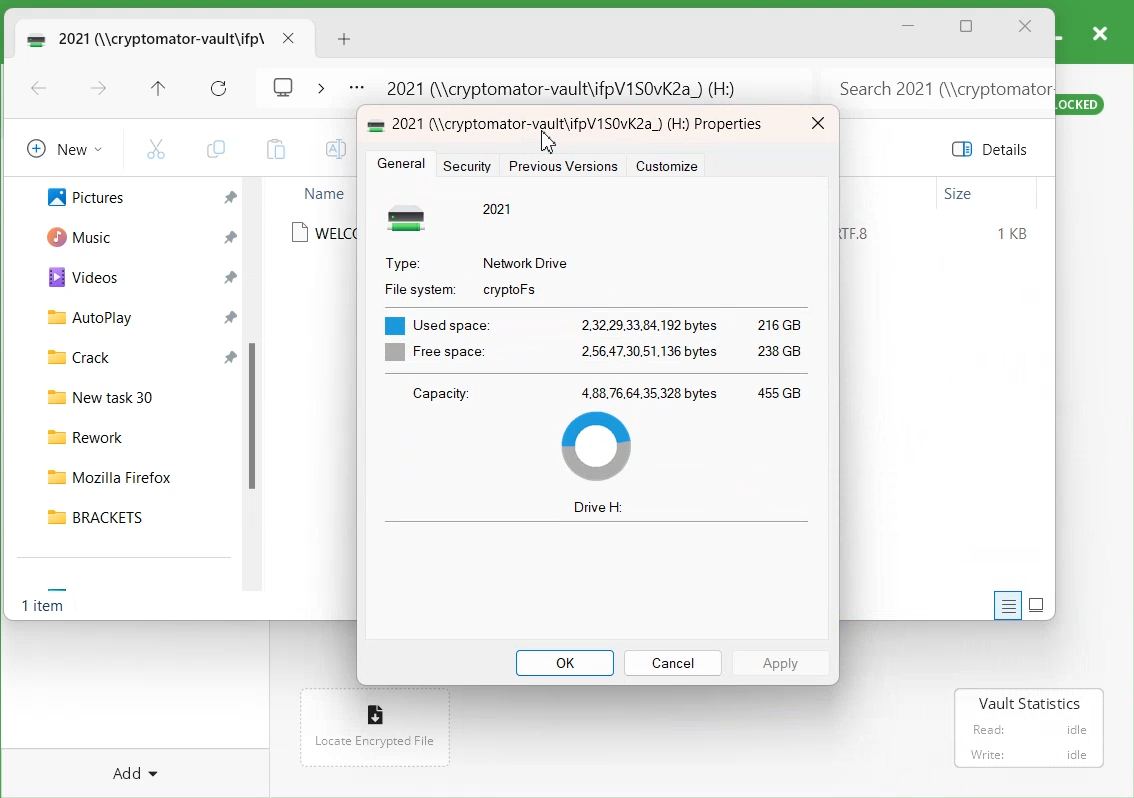 Image resolution: width=1134 pixels, height=798 pixels. What do you see at coordinates (667, 166) in the screenshot?
I see `Customize` at bounding box center [667, 166].